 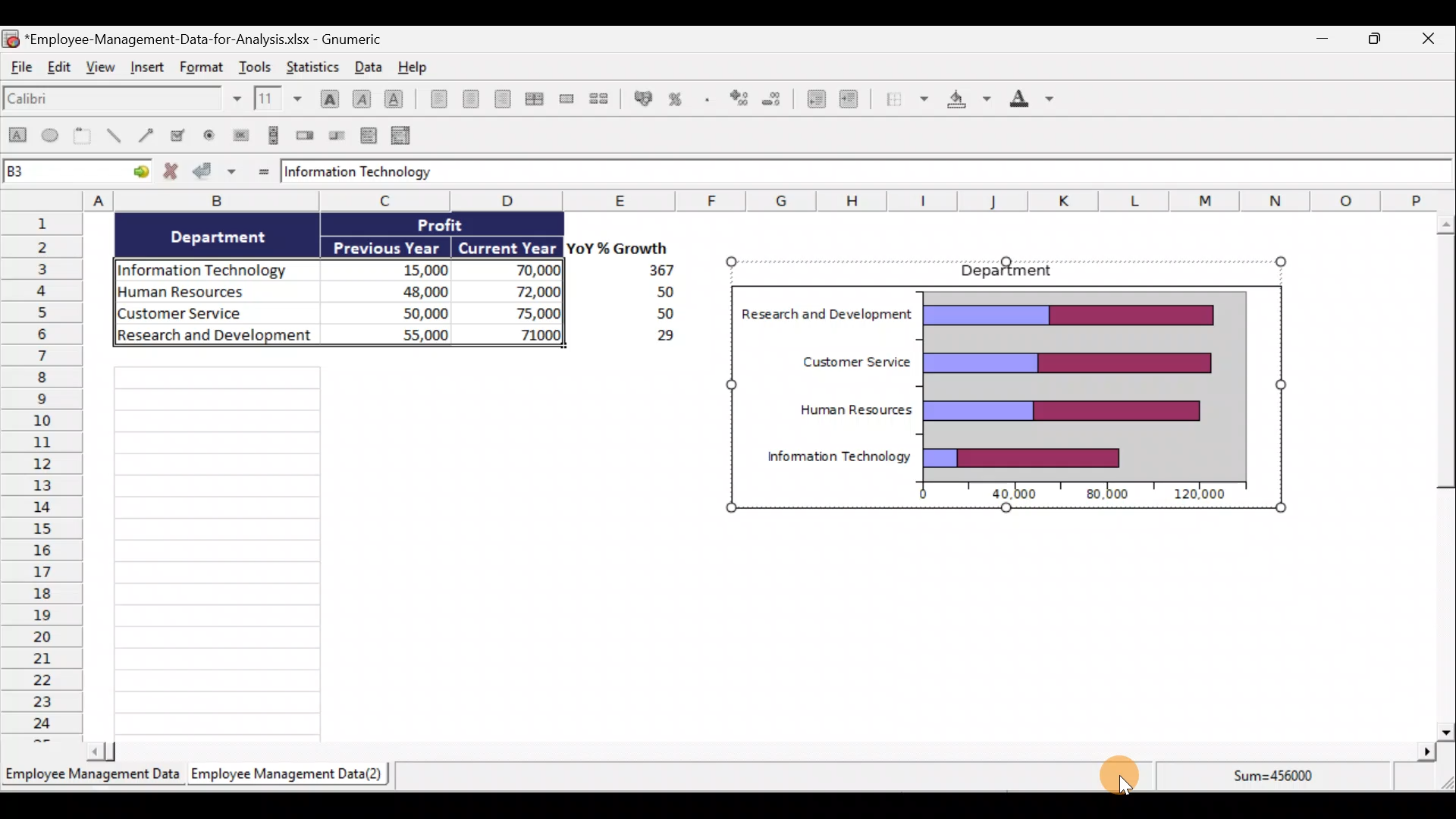 I want to click on Decrease decimals, so click(x=777, y=96).